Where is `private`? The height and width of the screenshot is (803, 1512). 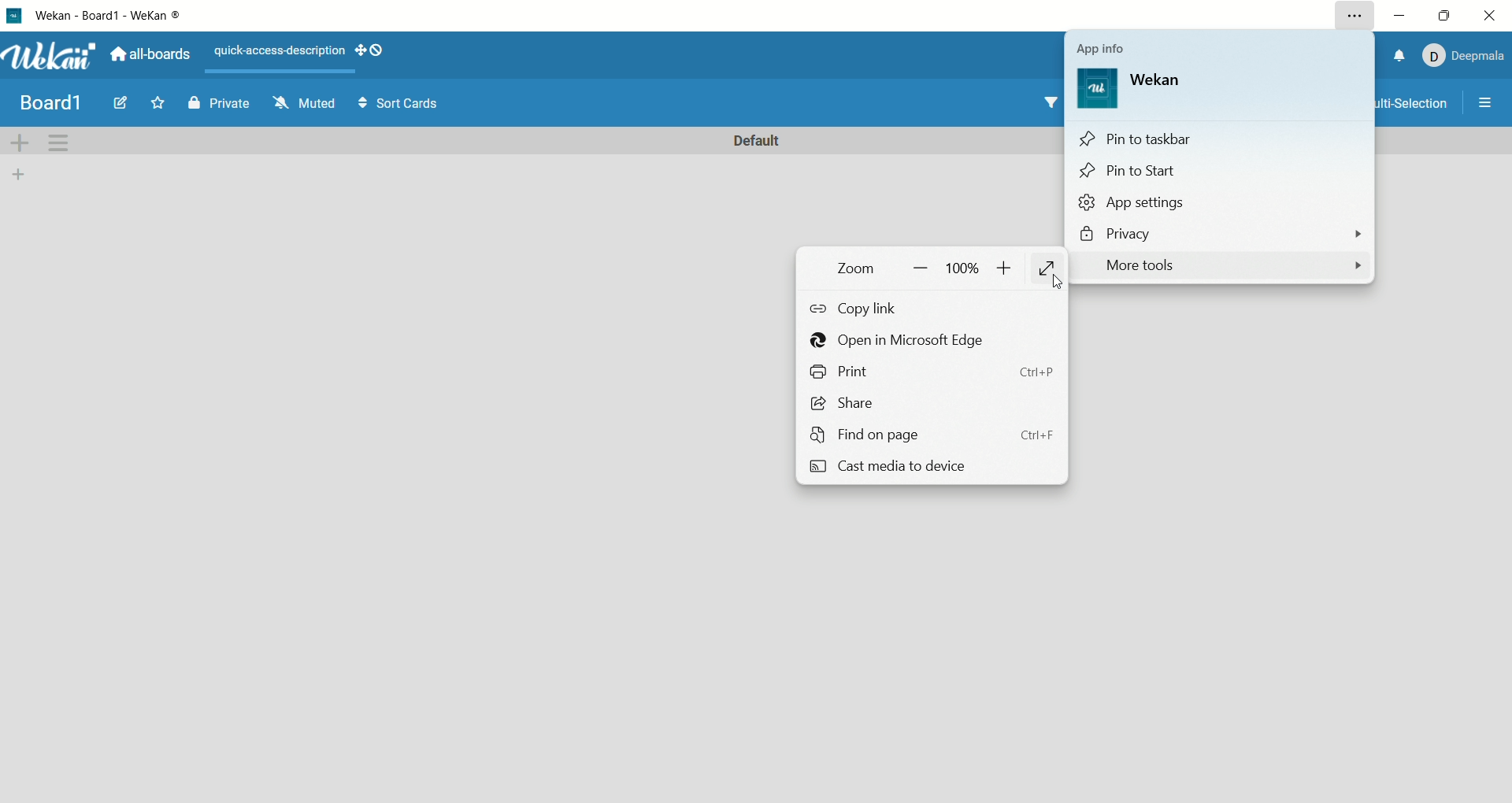 private is located at coordinates (218, 105).